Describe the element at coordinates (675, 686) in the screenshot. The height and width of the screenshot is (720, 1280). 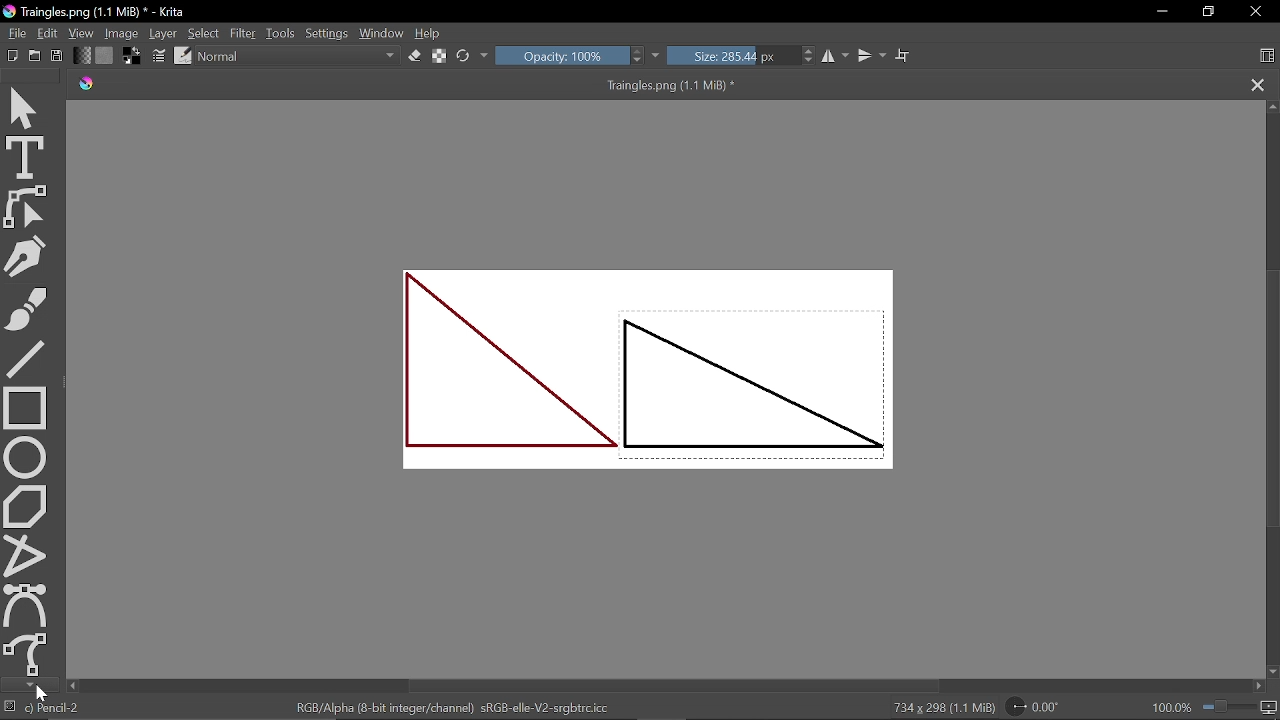
I see `Horizontal scrollbar` at that location.